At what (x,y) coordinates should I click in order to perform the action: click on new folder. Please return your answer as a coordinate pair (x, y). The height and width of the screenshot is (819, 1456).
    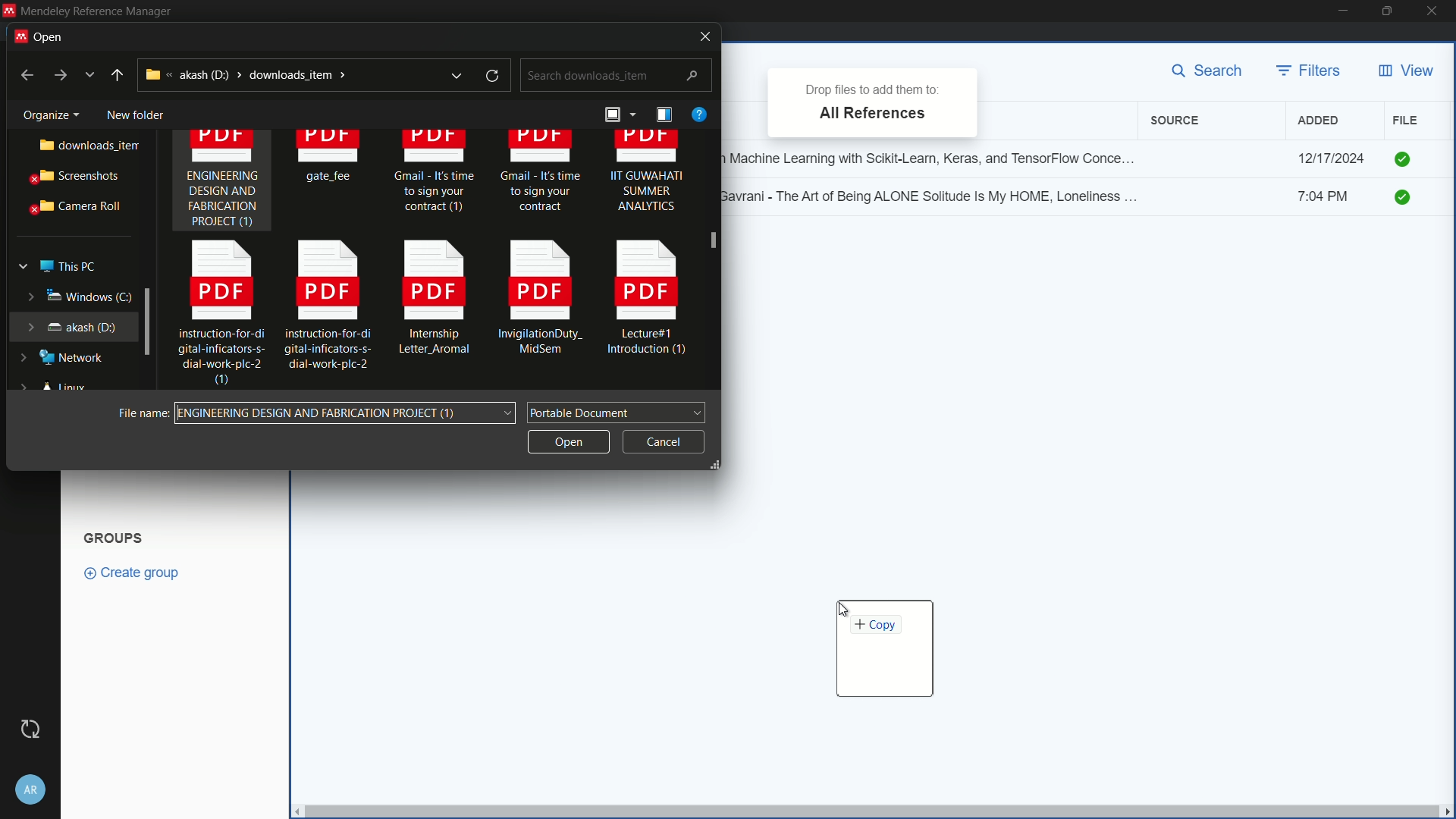
    Looking at the image, I should click on (134, 111).